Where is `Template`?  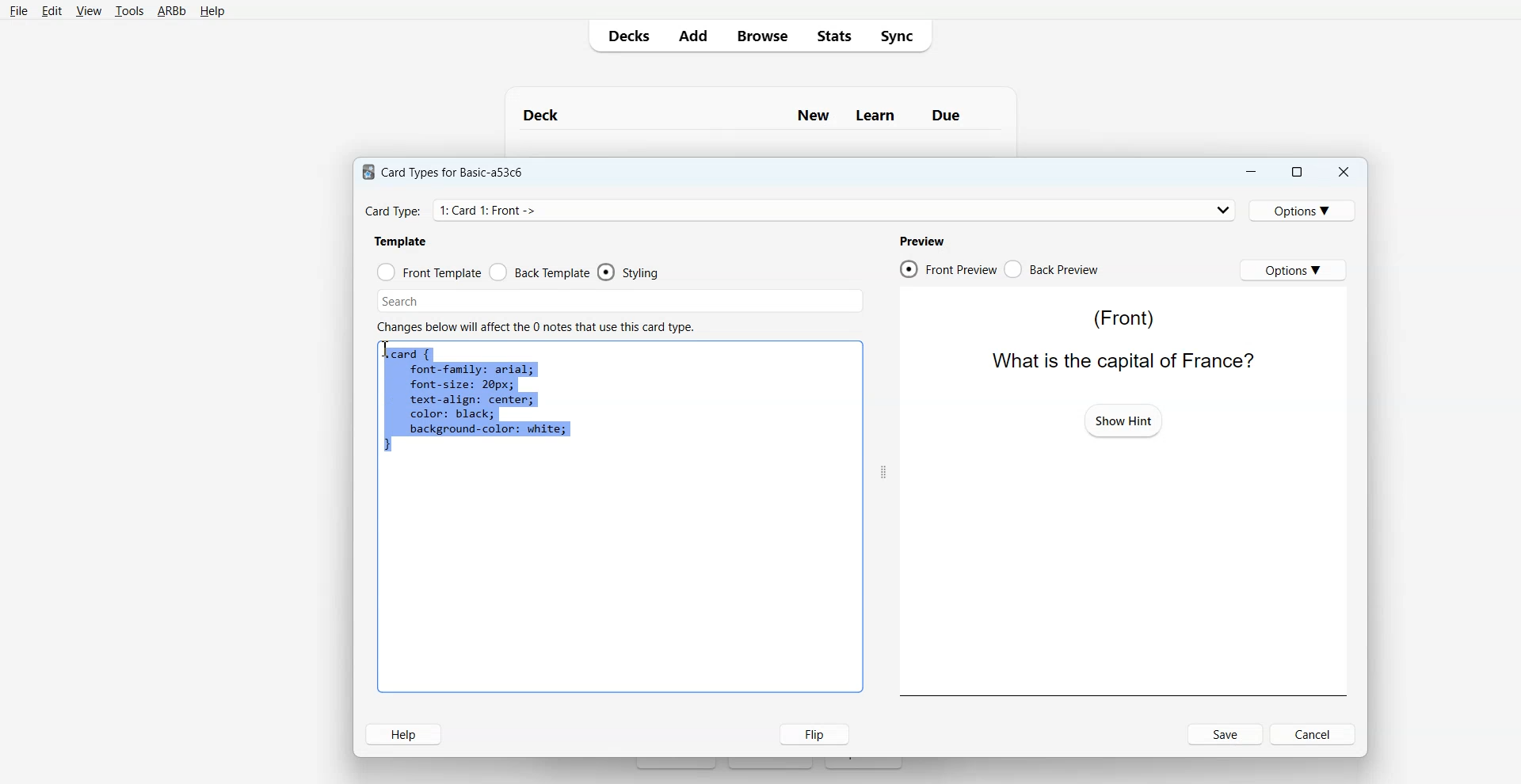 Template is located at coordinates (402, 241).